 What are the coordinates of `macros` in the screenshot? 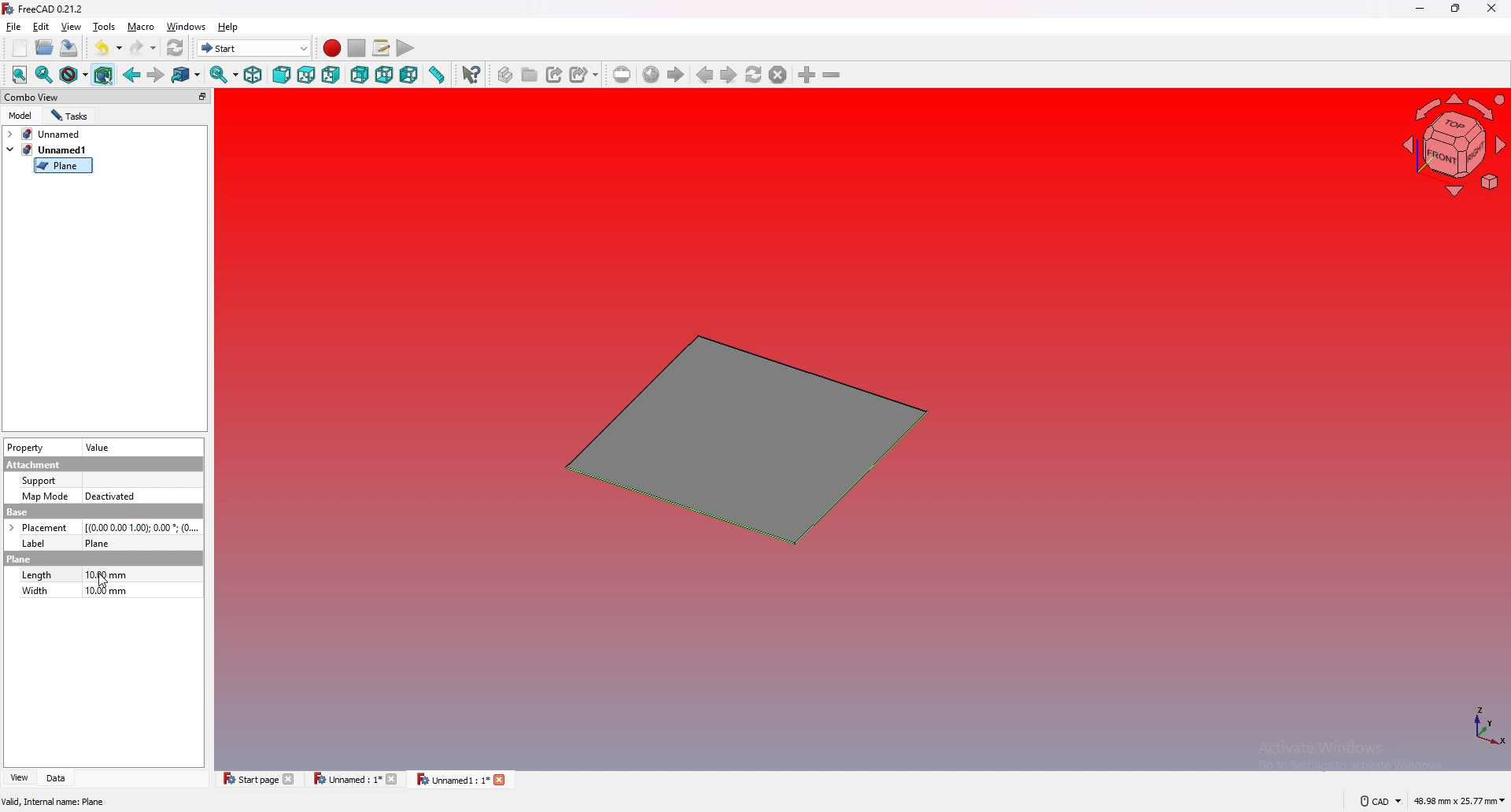 It's located at (382, 47).